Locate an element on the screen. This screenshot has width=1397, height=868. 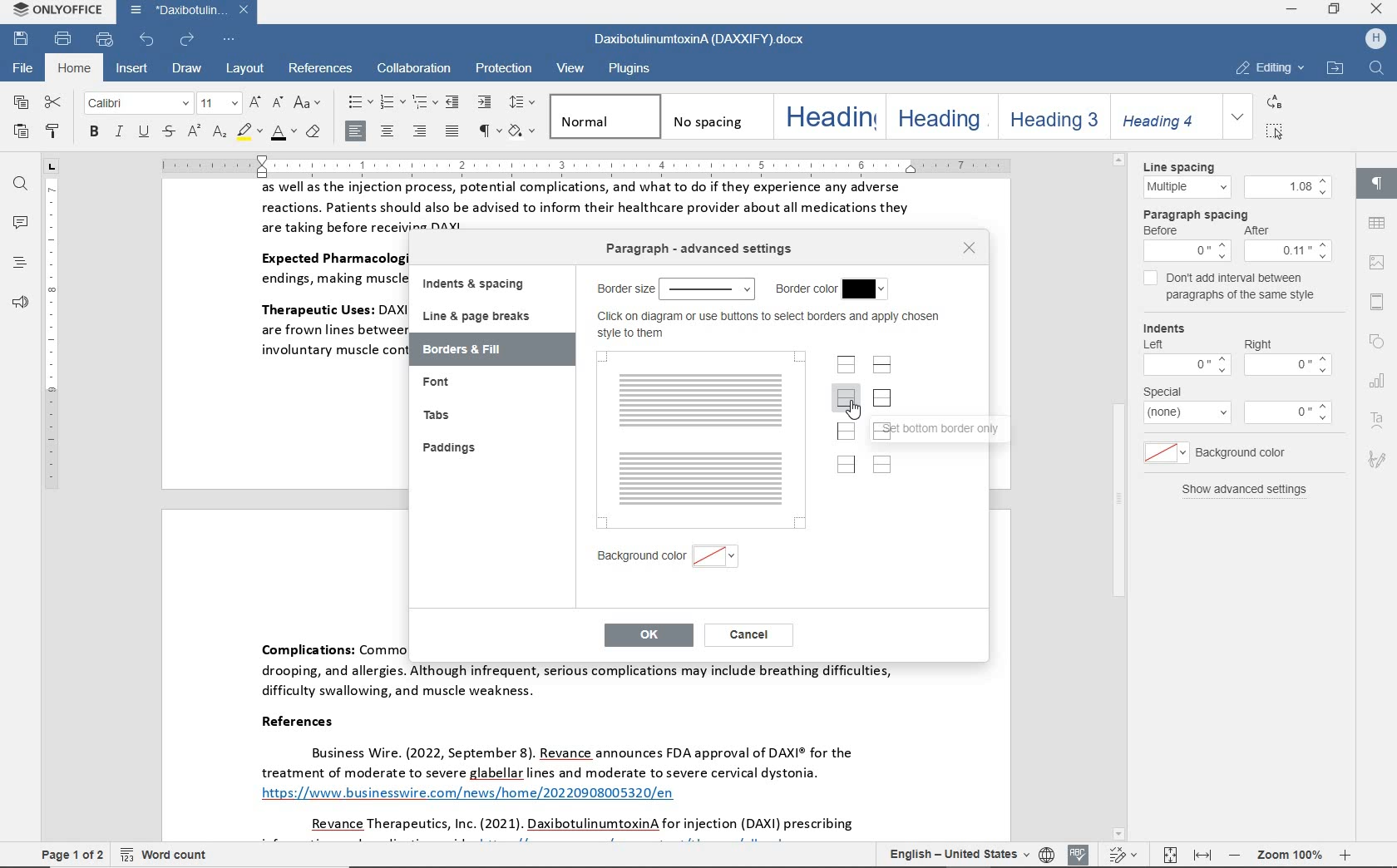
file is located at coordinates (24, 68).